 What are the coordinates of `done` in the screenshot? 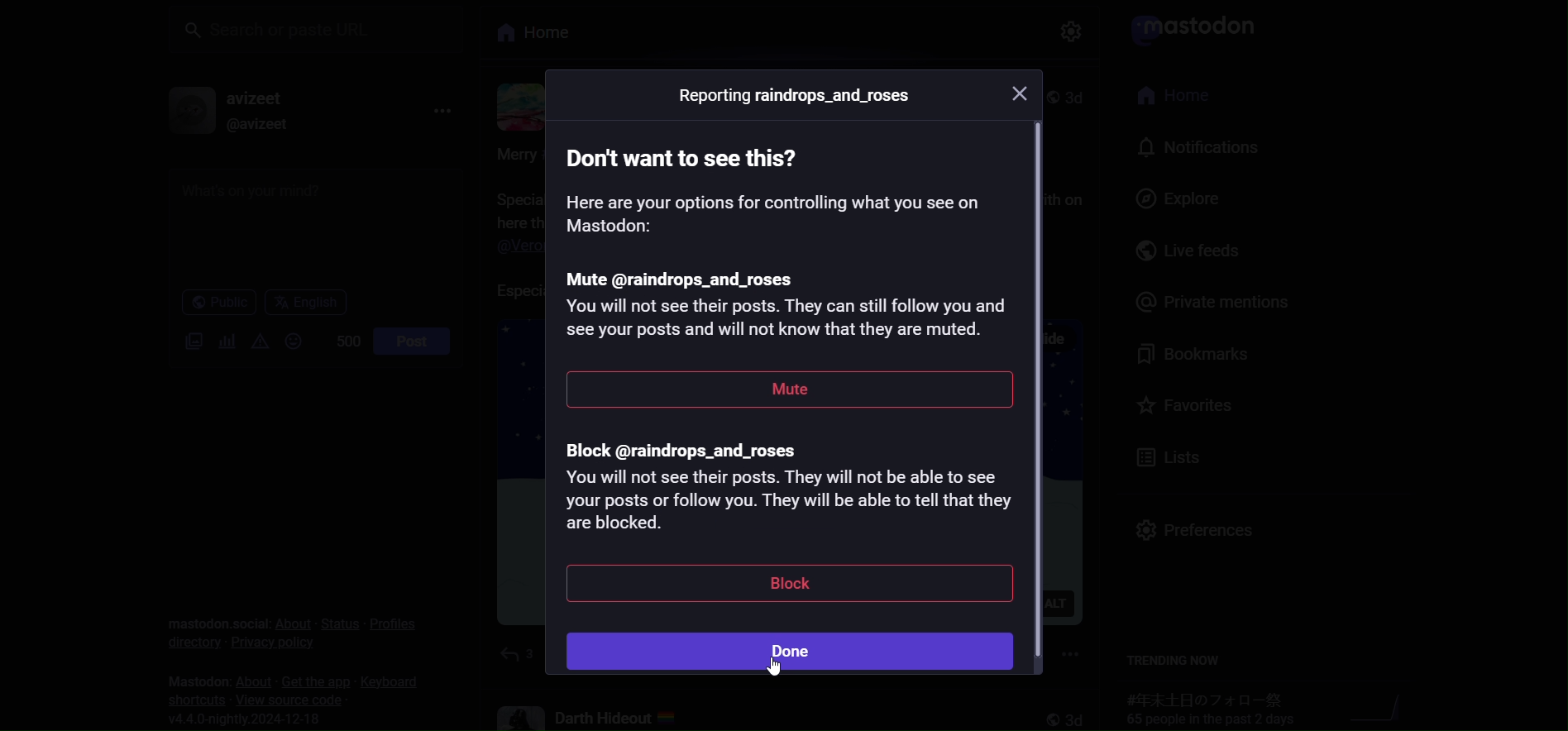 It's located at (786, 654).